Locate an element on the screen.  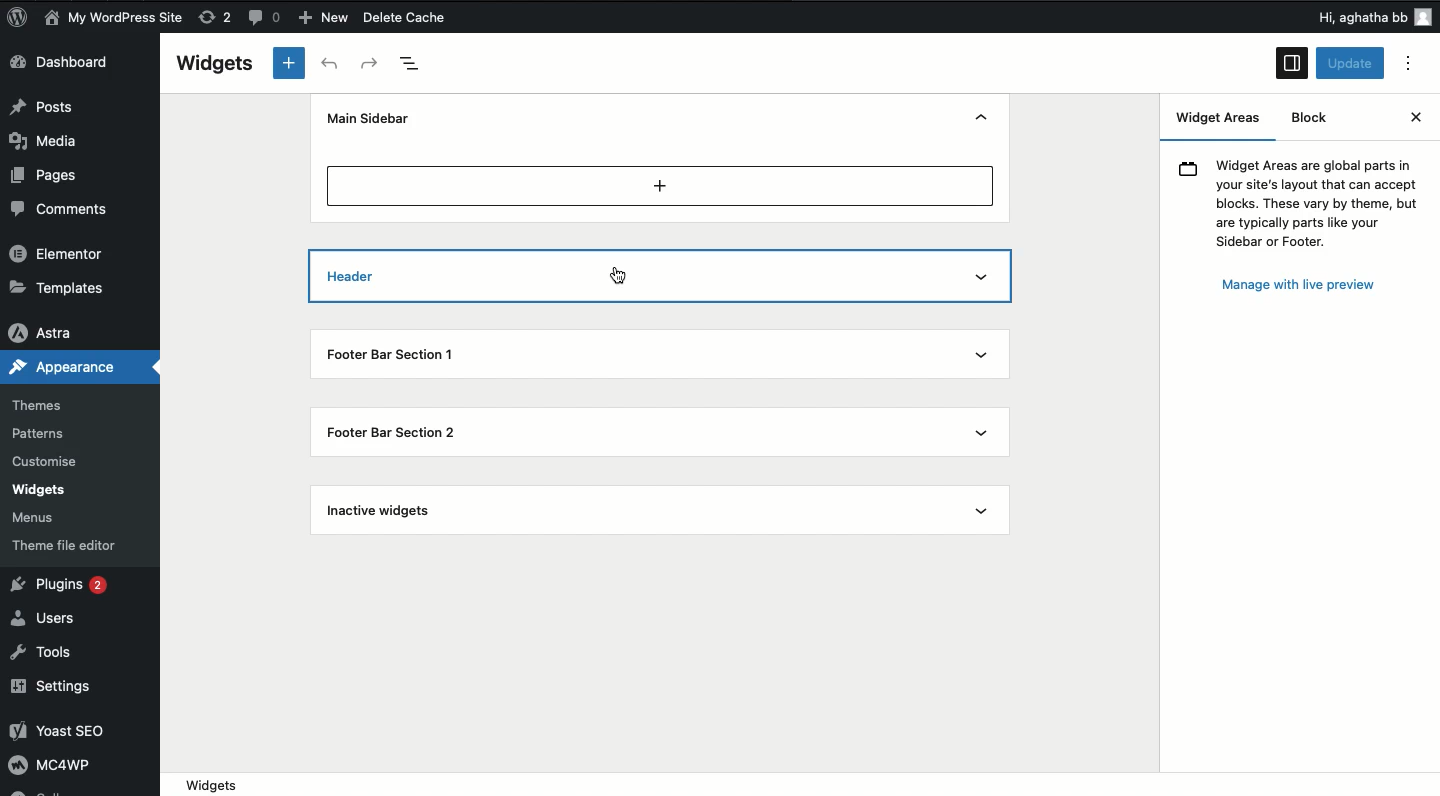
 is located at coordinates (1337, 17).